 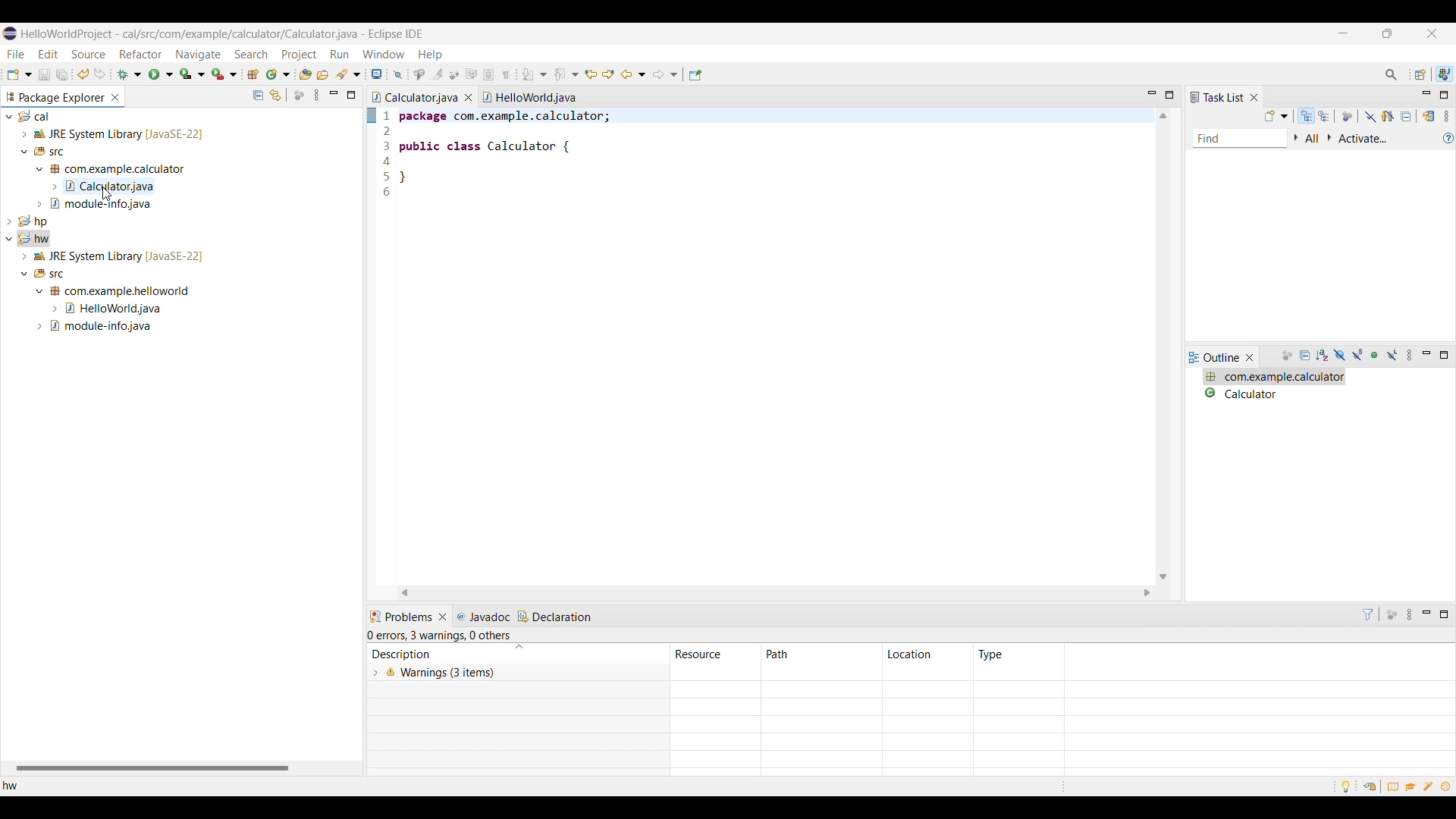 I want to click on hw, so click(x=22, y=788).